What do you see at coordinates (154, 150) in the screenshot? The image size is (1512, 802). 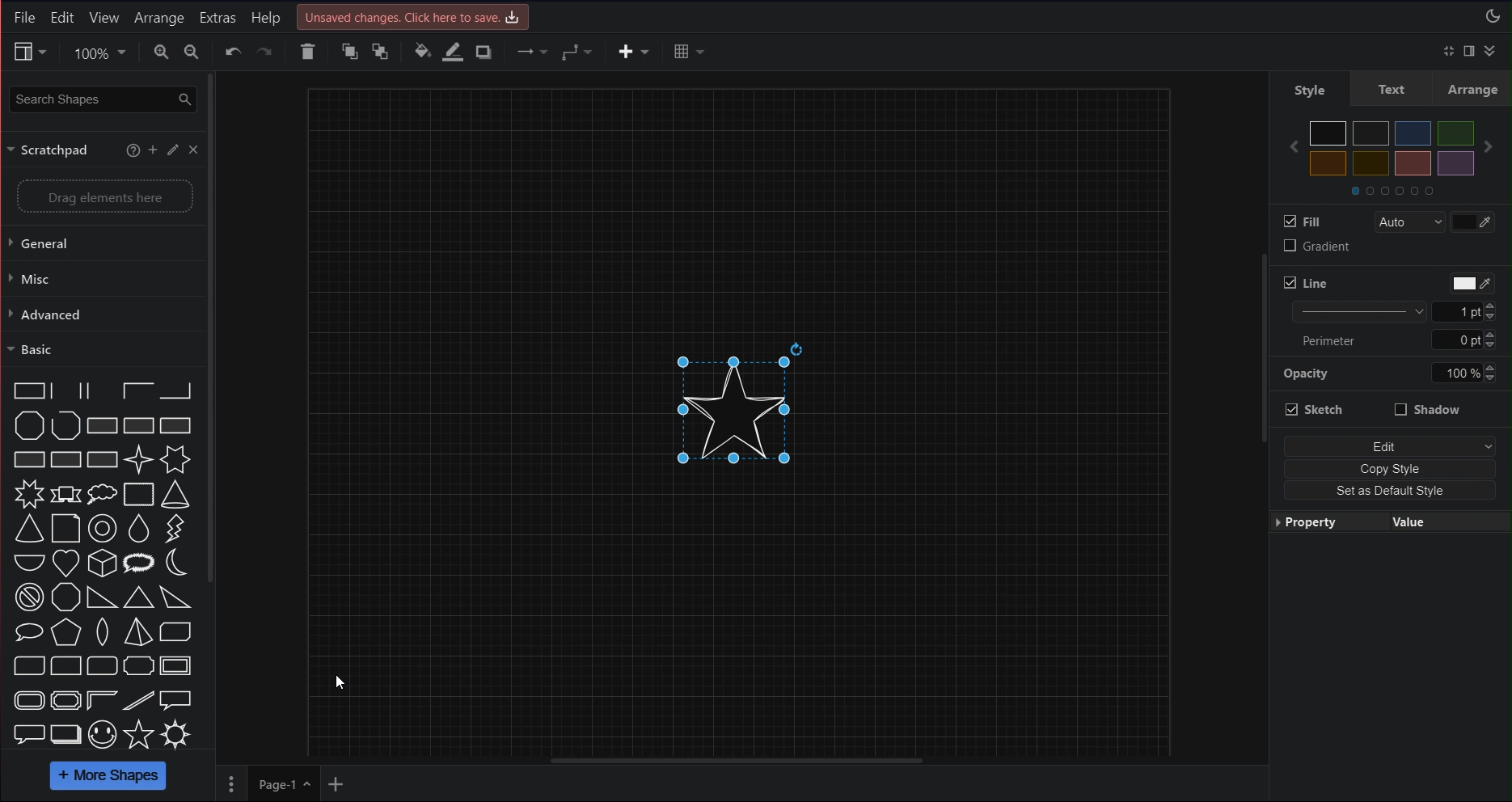 I see `Add` at bounding box center [154, 150].